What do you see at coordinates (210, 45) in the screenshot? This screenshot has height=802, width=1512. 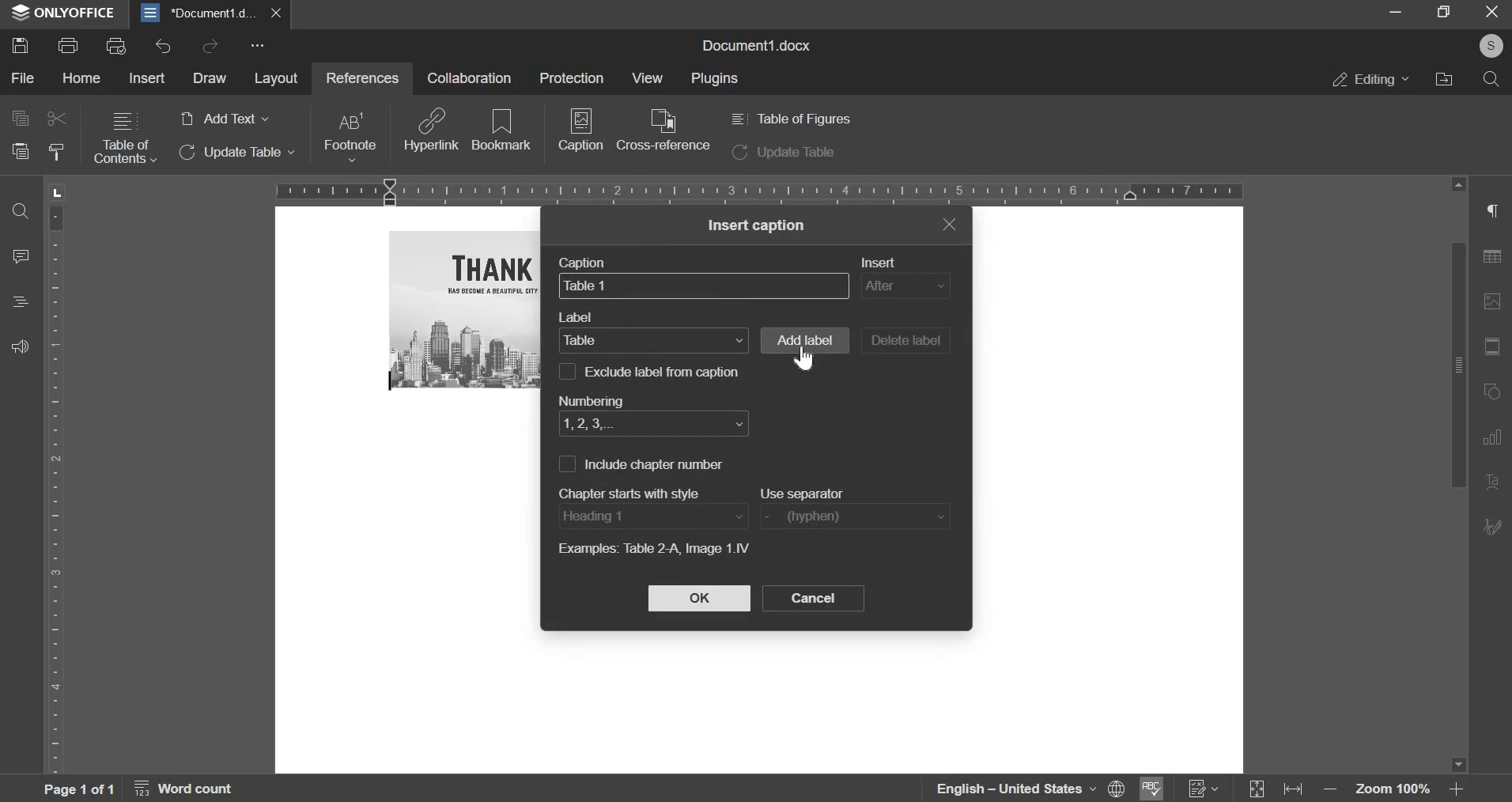 I see `redo` at bounding box center [210, 45].